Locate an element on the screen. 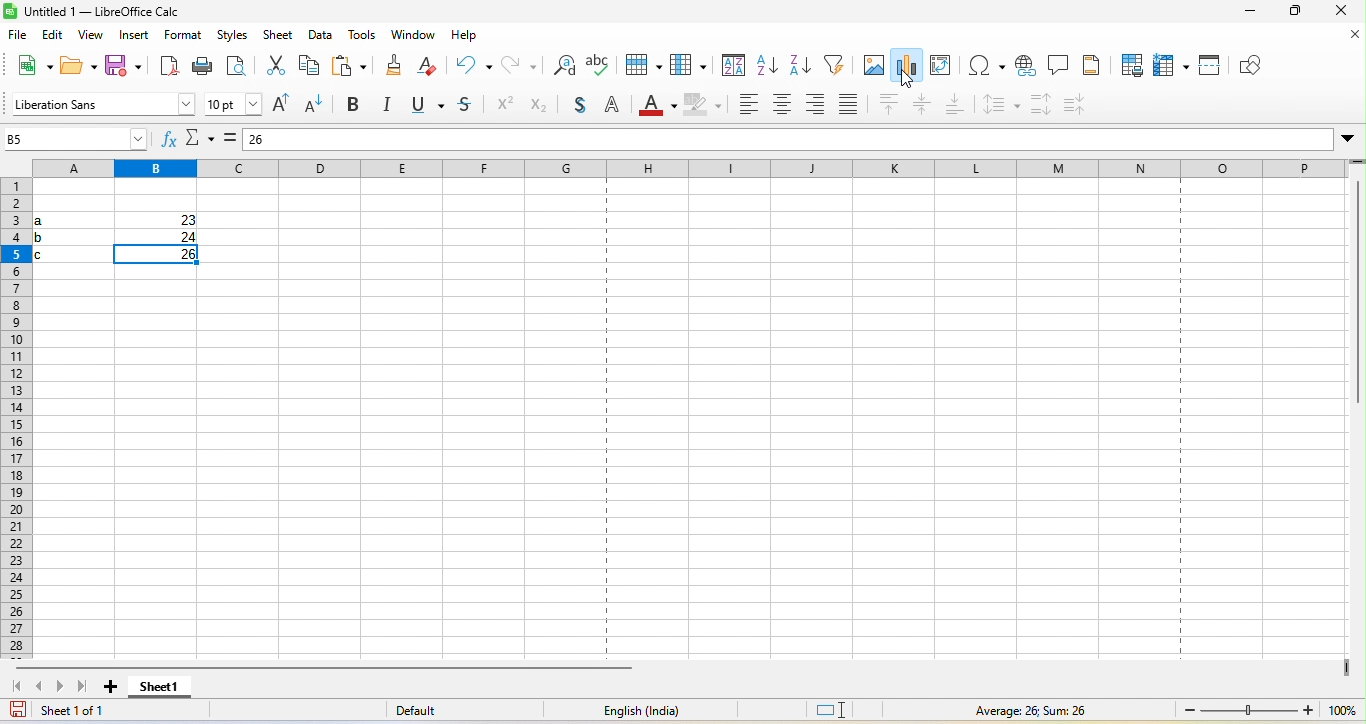 This screenshot has height=724, width=1366. average, sum=0 is located at coordinates (1056, 710).